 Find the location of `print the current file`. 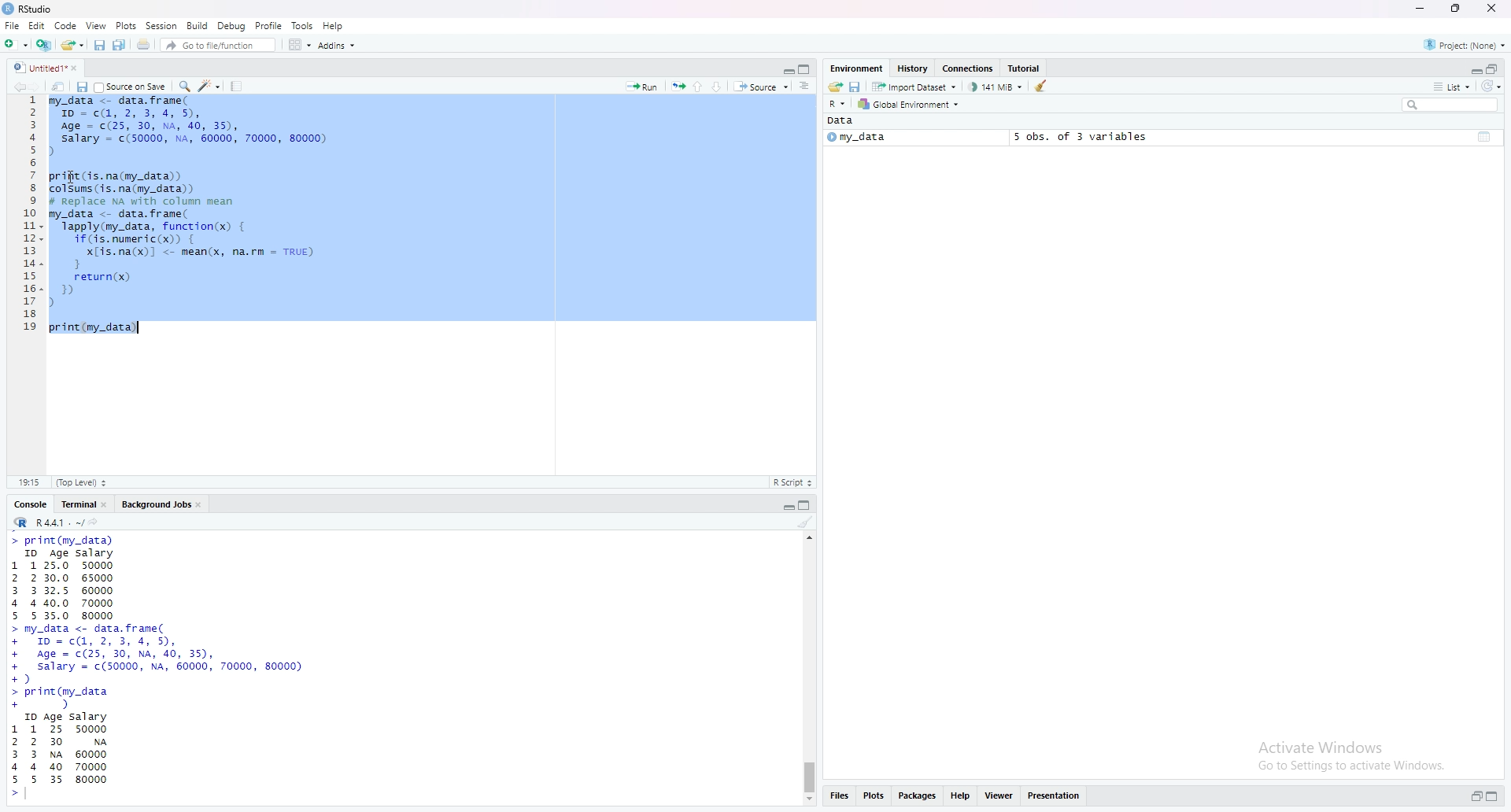

print the current file is located at coordinates (144, 45).